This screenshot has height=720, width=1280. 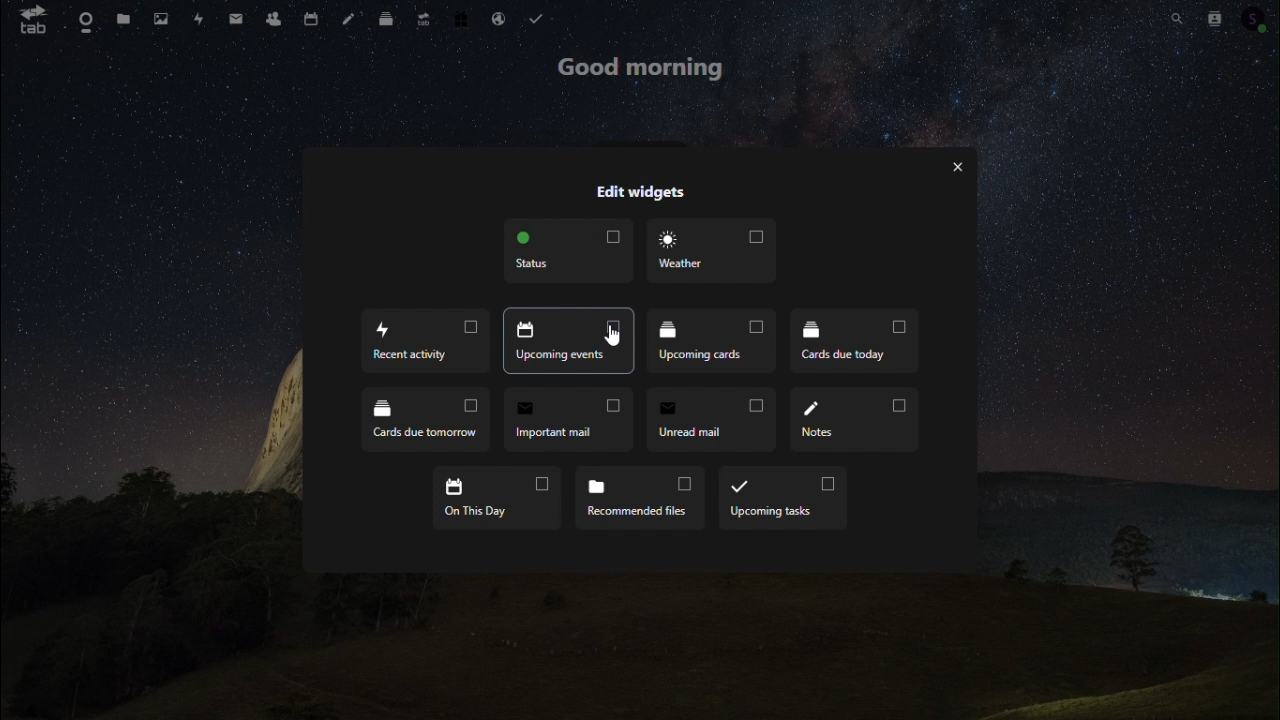 What do you see at coordinates (712, 419) in the screenshot?
I see `unread email` at bounding box center [712, 419].